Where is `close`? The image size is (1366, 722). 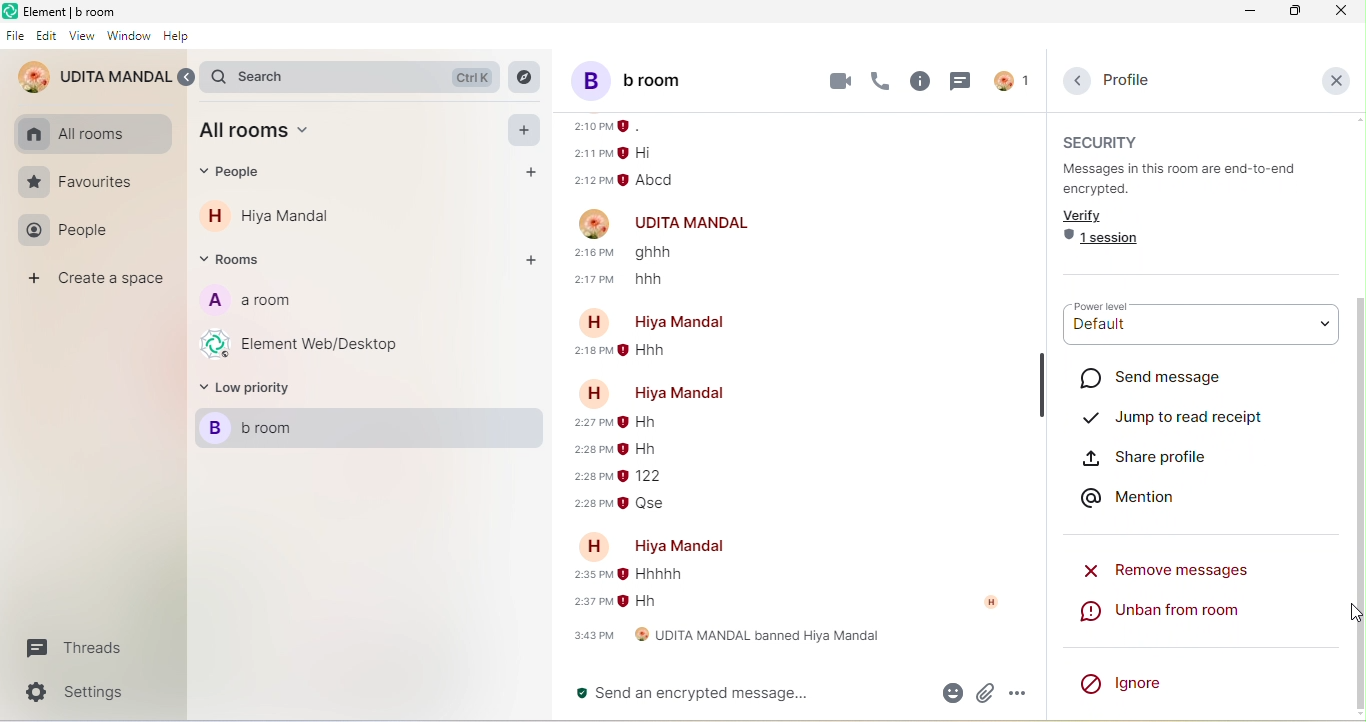
close is located at coordinates (1336, 79).